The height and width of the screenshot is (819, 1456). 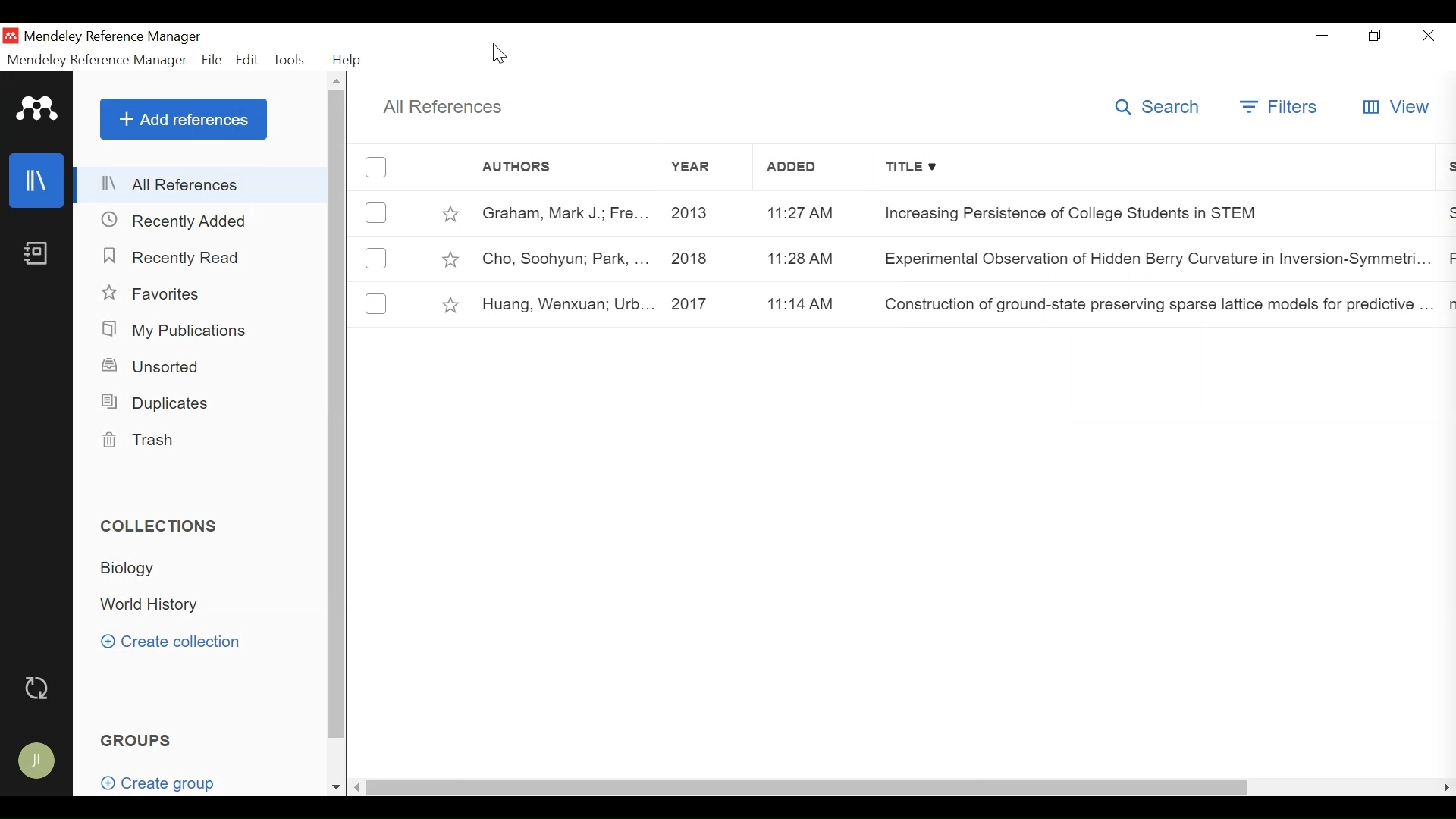 What do you see at coordinates (175, 331) in the screenshot?
I see `My Publications` at bounding box center [175, 331].